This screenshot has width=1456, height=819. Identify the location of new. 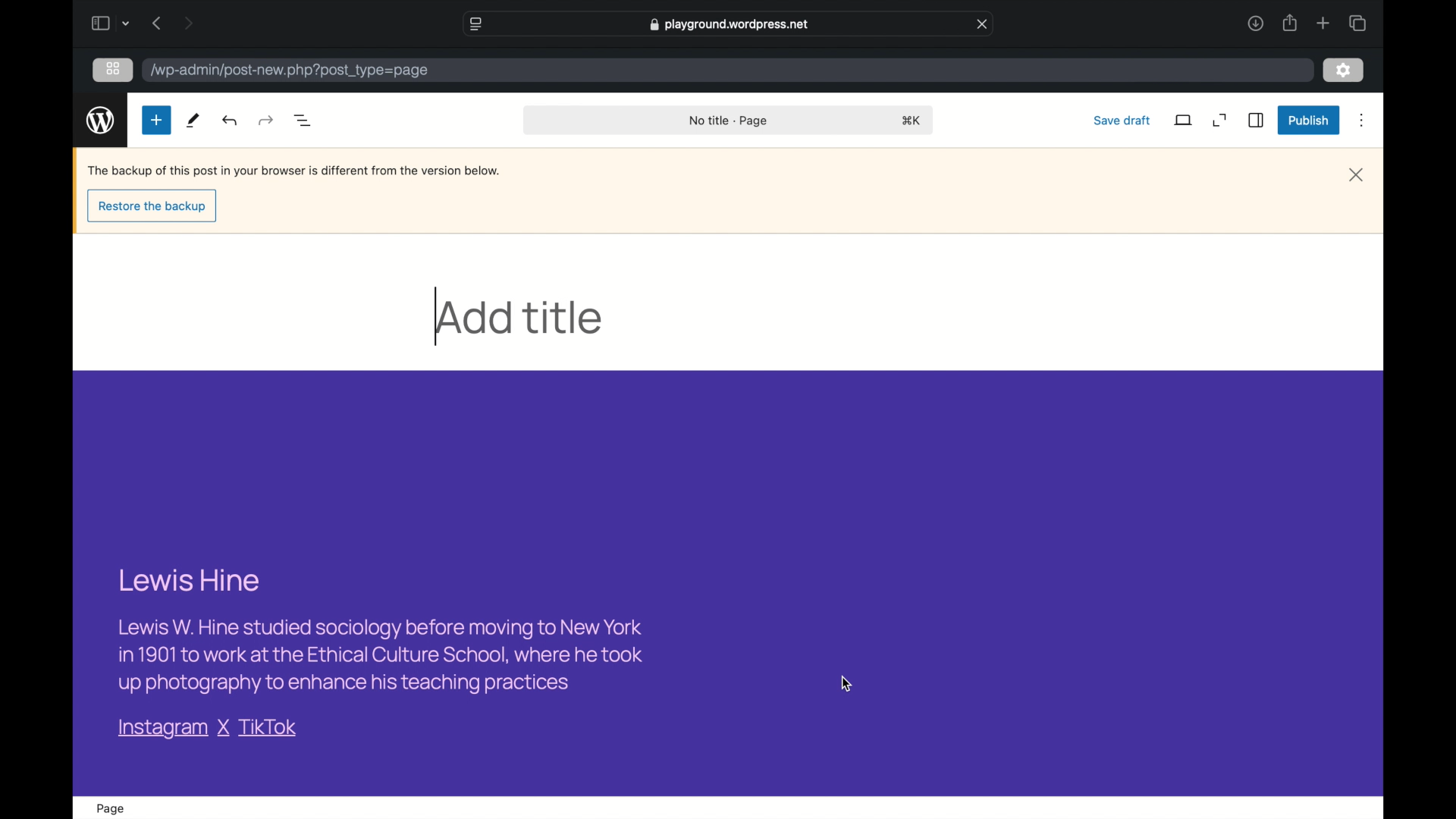
(155, 120).